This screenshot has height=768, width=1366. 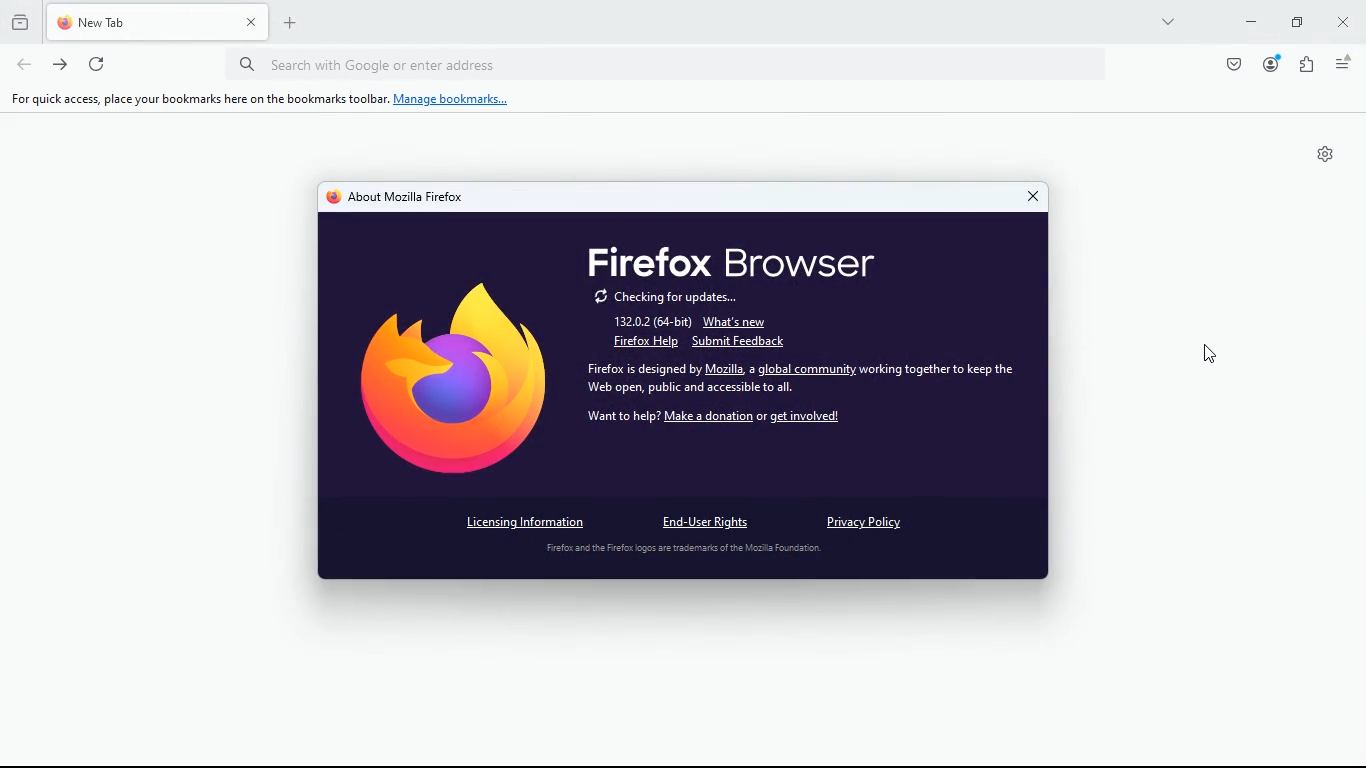 I want to click on Settings, so click(x=1326, y=154).